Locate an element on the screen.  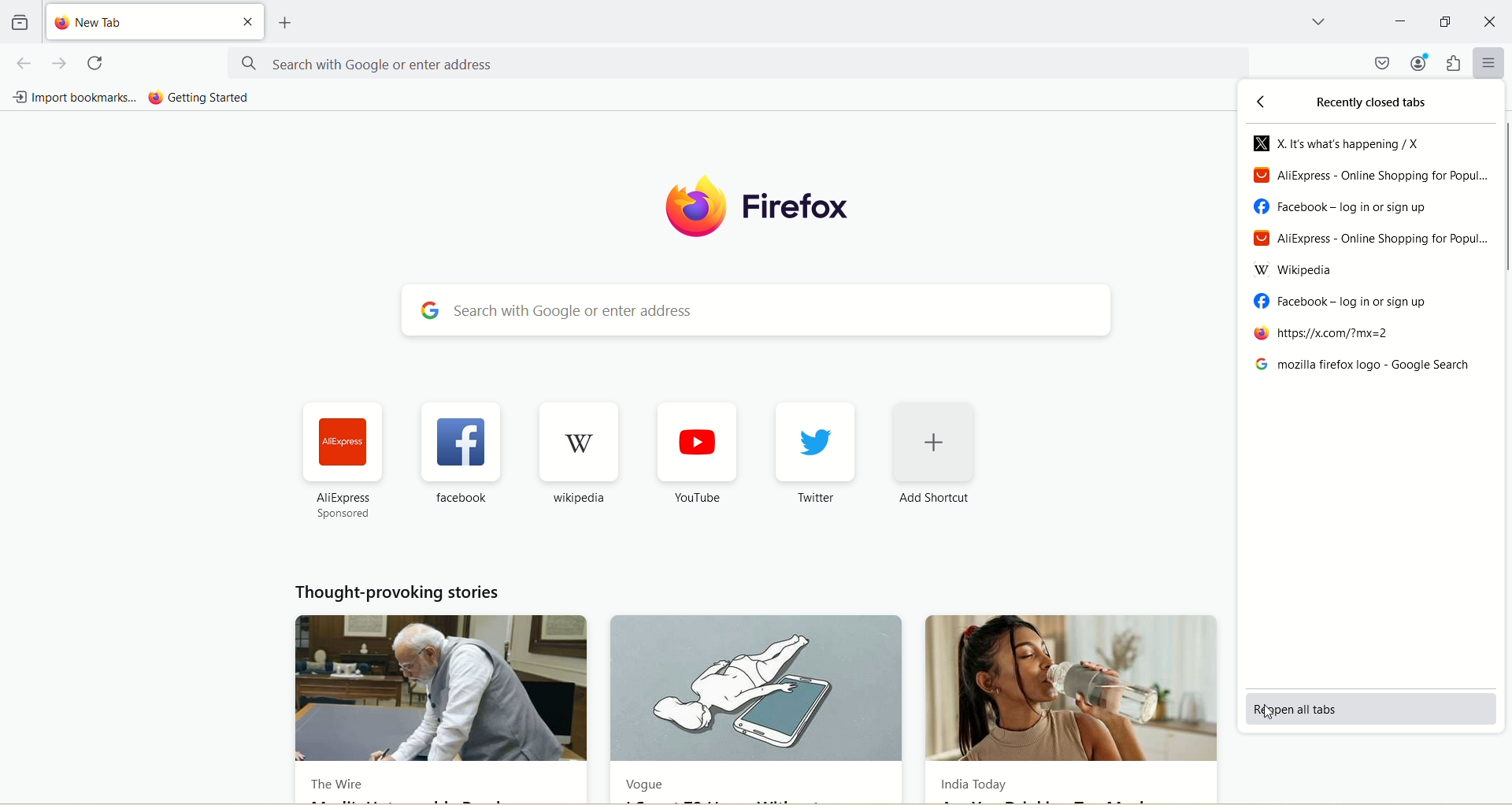
reload current page is located at coordinates (98, 63).